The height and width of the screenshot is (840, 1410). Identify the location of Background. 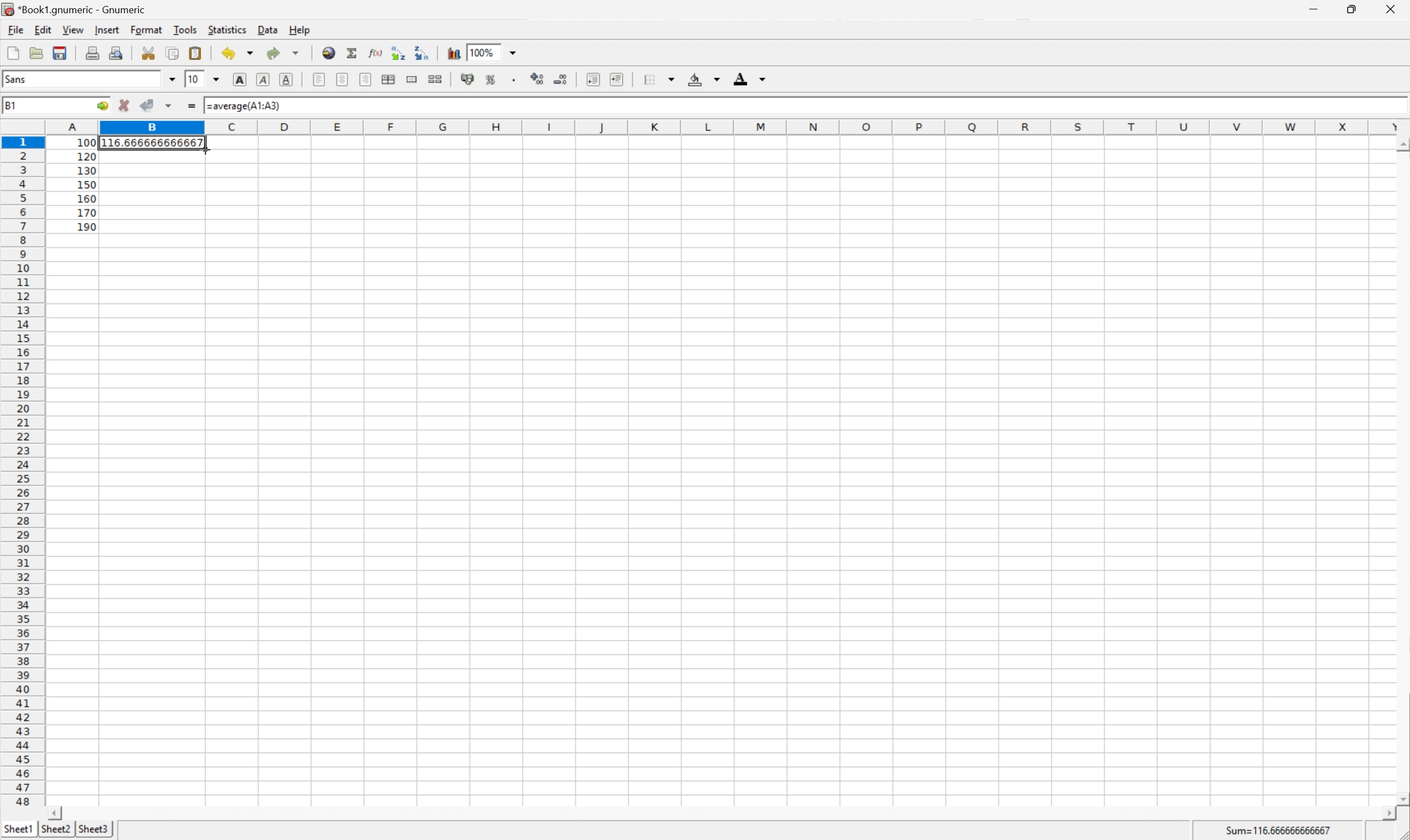
(700, 79).